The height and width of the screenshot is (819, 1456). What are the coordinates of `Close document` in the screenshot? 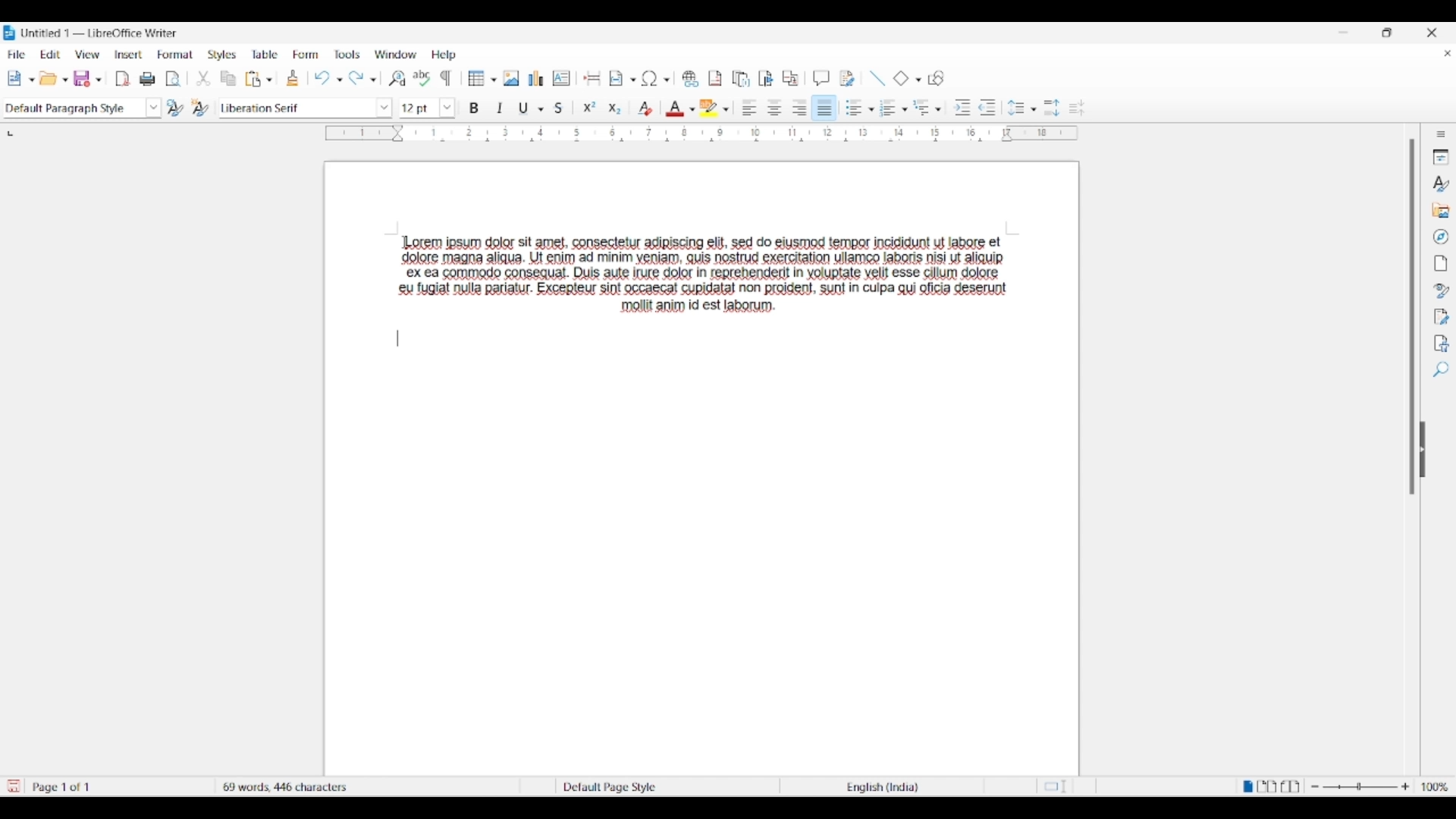 It's located at (1448, 53).